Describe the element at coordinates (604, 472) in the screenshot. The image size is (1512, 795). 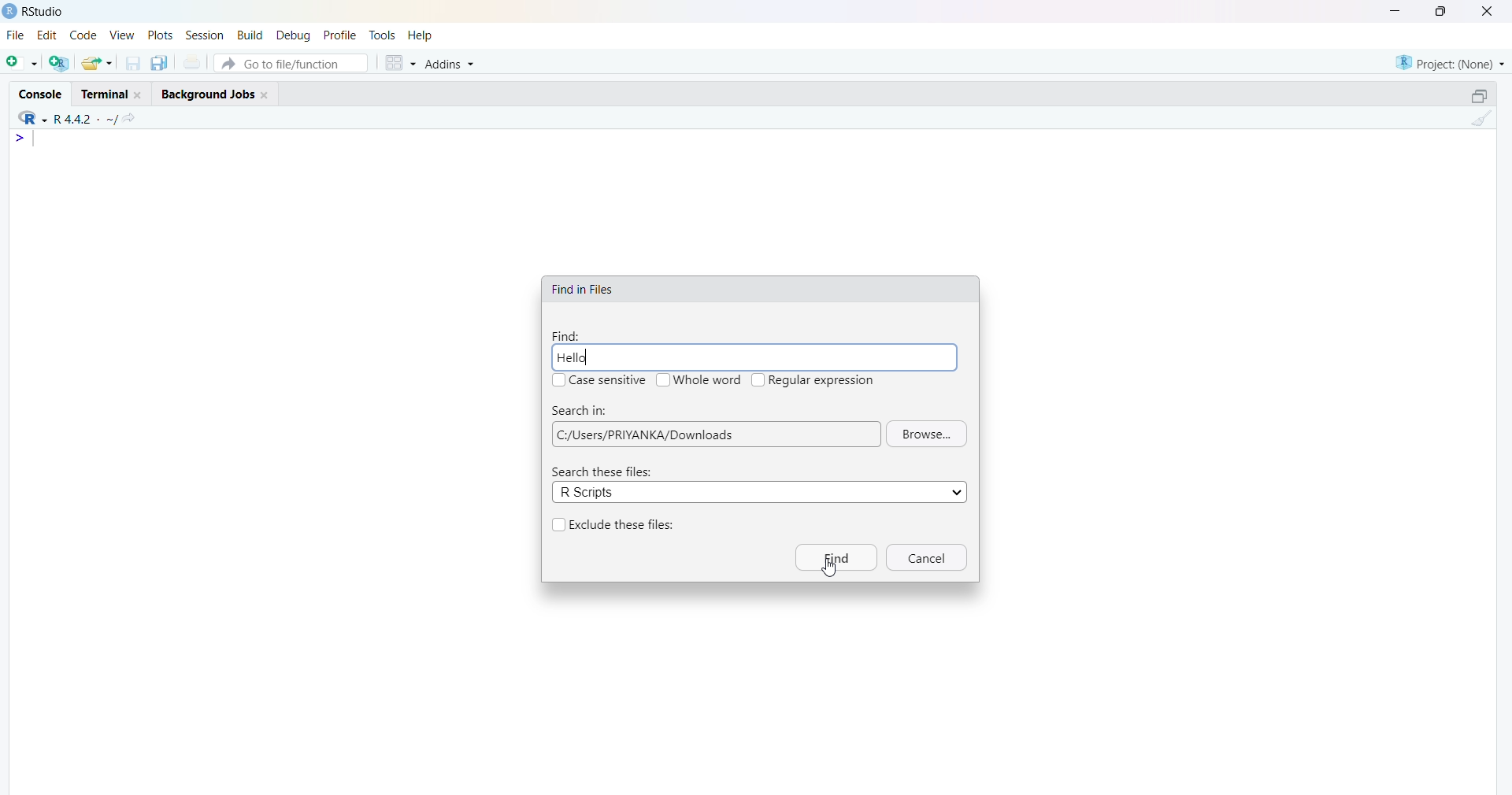
I see `Search these files:` at that location.